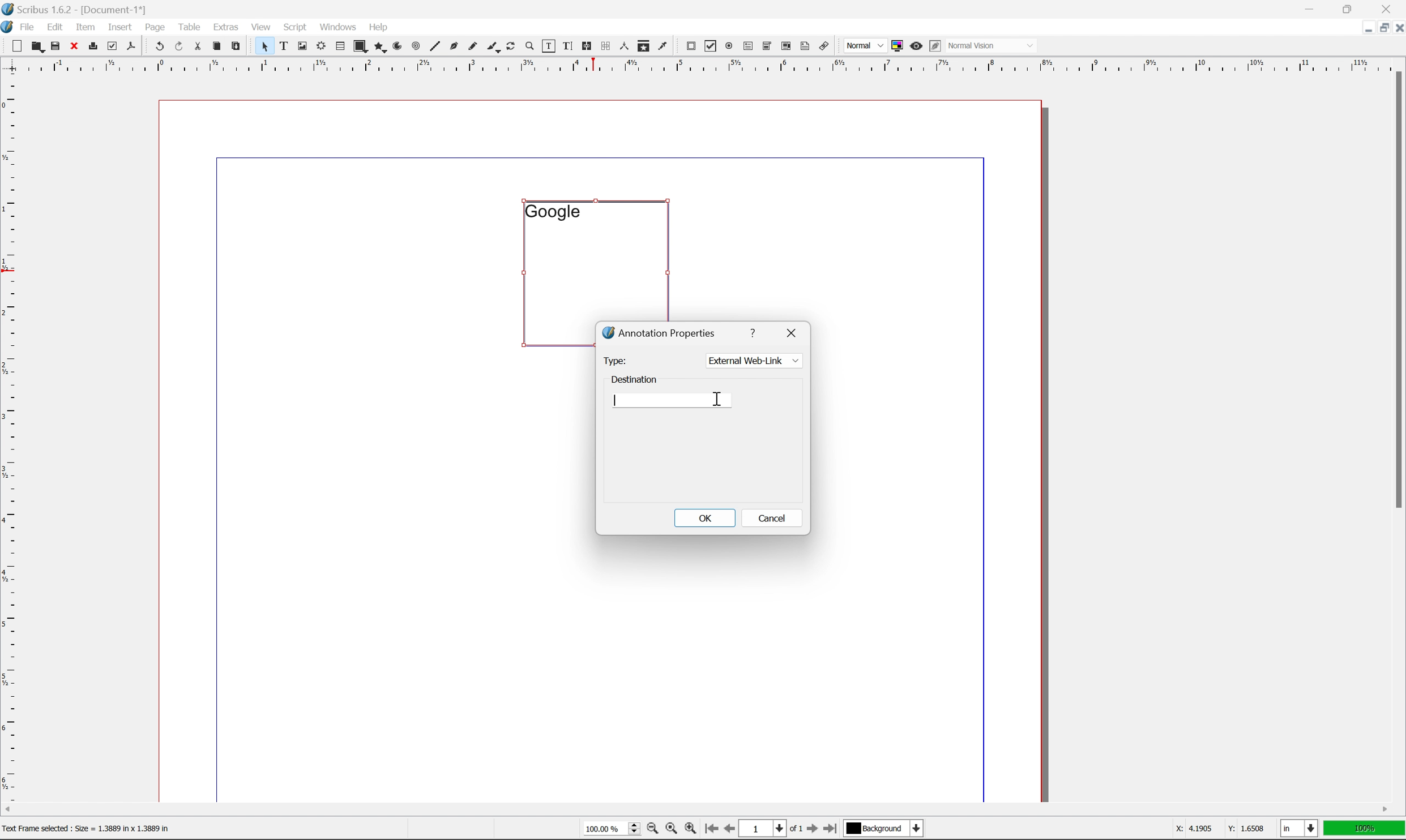  I want to click on undo, so click(159, 47).